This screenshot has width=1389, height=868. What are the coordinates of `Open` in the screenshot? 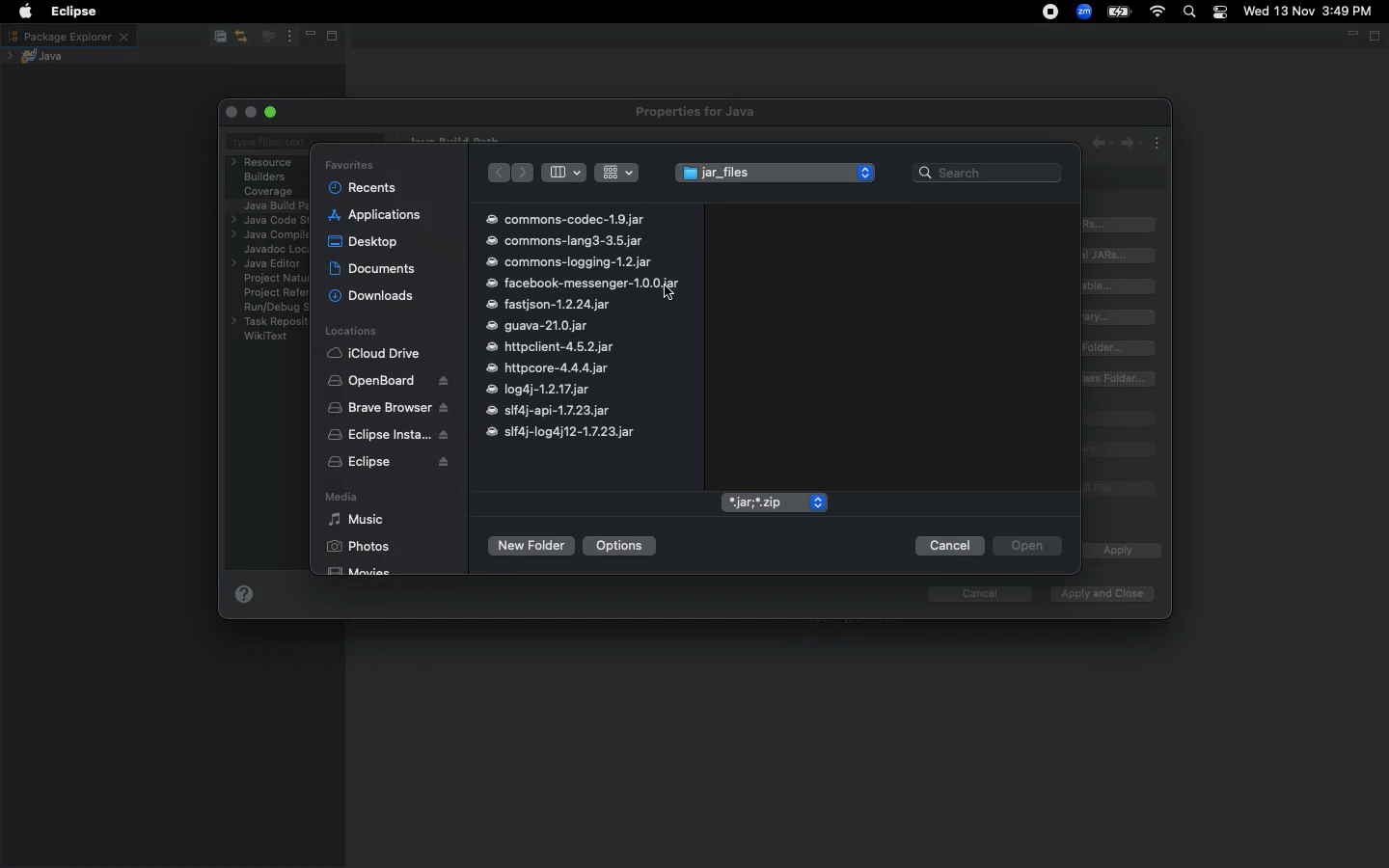 It's located at (1026, 547).